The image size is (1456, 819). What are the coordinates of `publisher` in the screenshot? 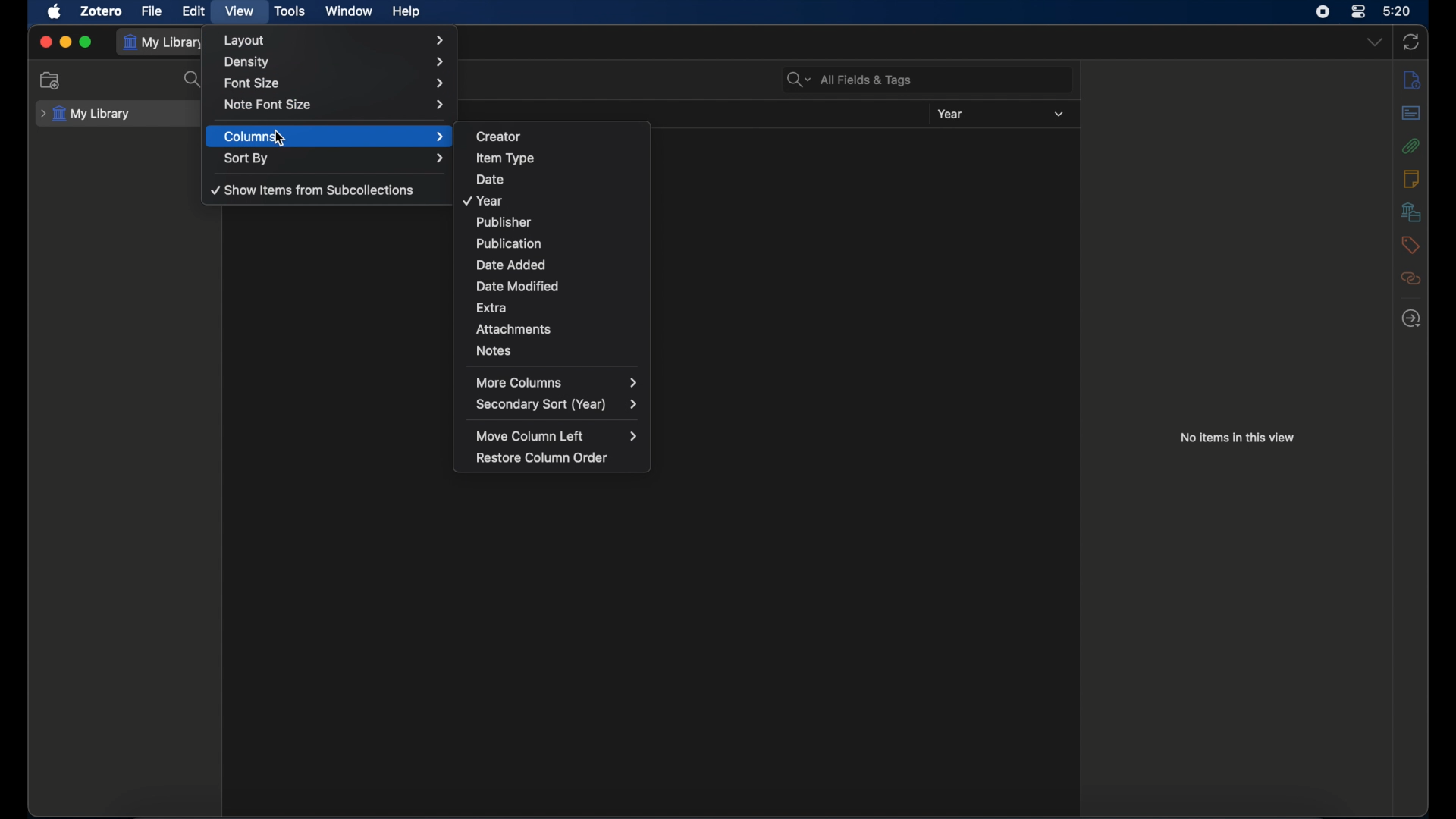 It's located at (557, 221).